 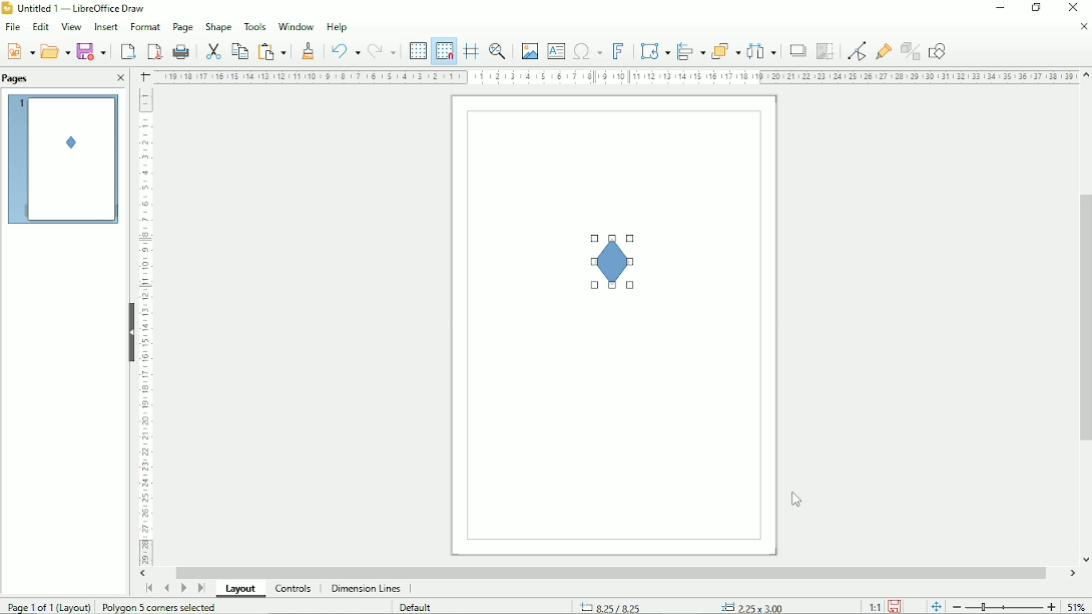 What do you see at coordinates (898, 606) in the screenshot?
I see `Save` at bounding box center [898, 606].